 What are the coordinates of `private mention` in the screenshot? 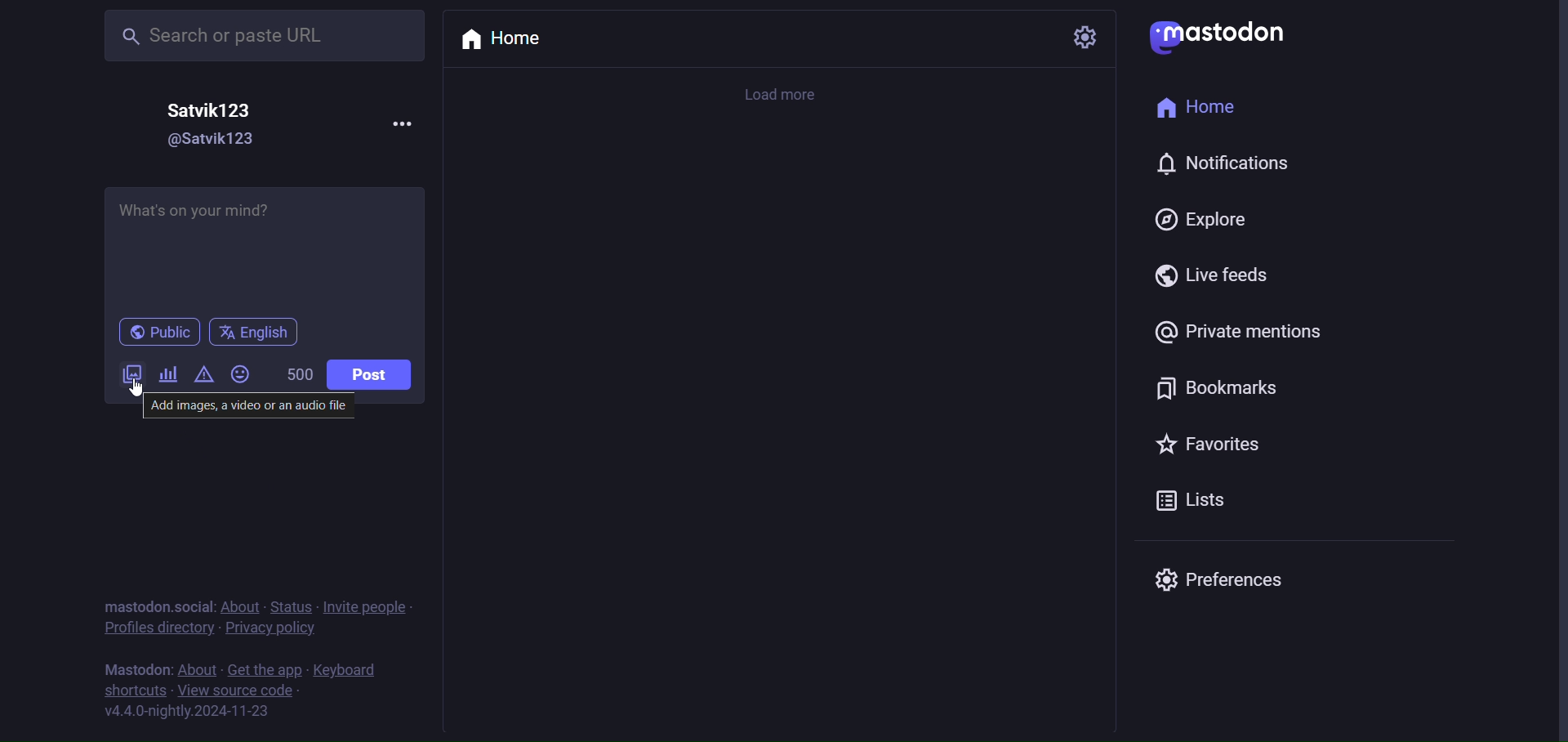 It's located at (1234, 330).